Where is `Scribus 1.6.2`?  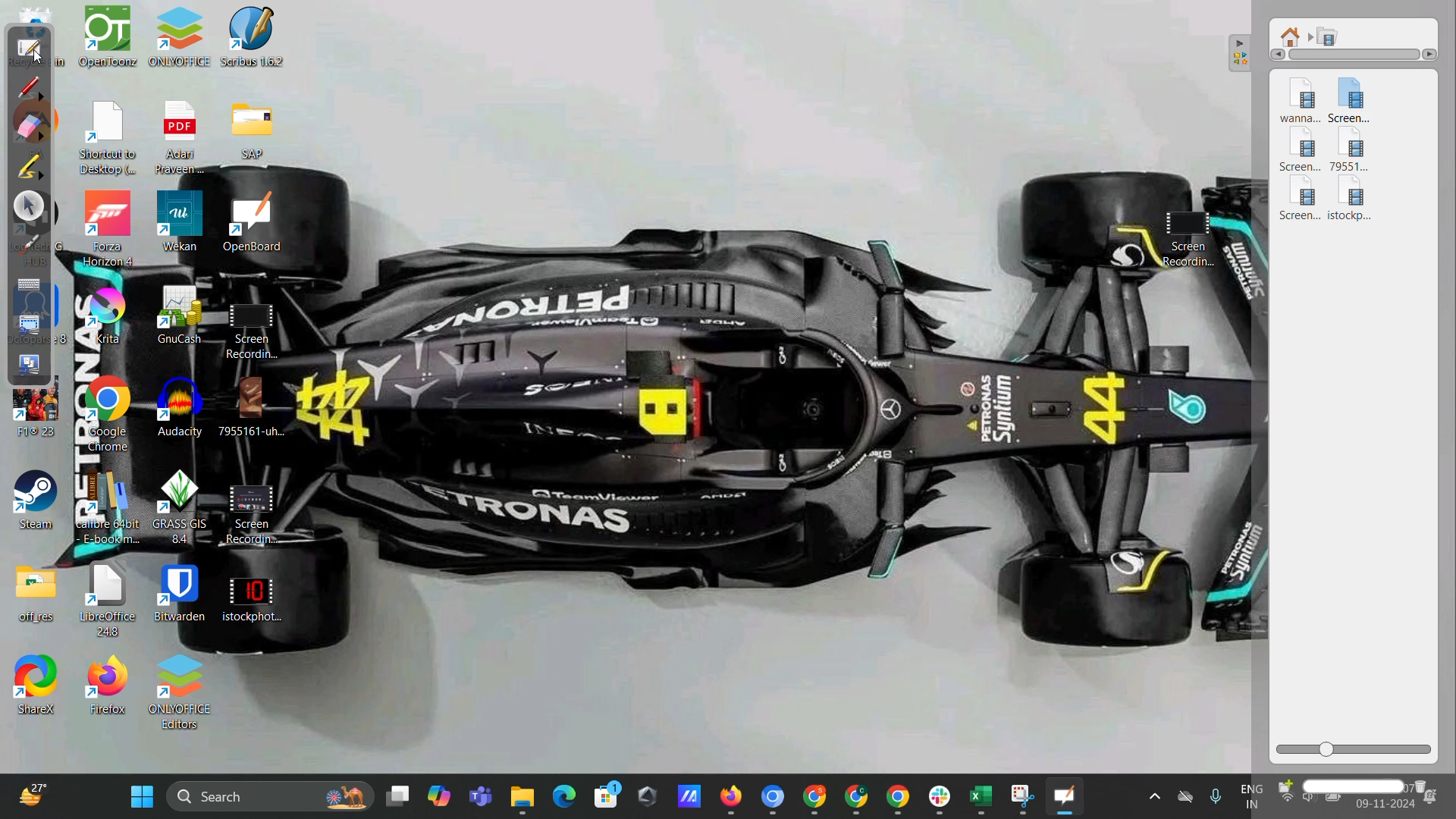
Scribus 1.6.2 is located at coordinates (259, 42).